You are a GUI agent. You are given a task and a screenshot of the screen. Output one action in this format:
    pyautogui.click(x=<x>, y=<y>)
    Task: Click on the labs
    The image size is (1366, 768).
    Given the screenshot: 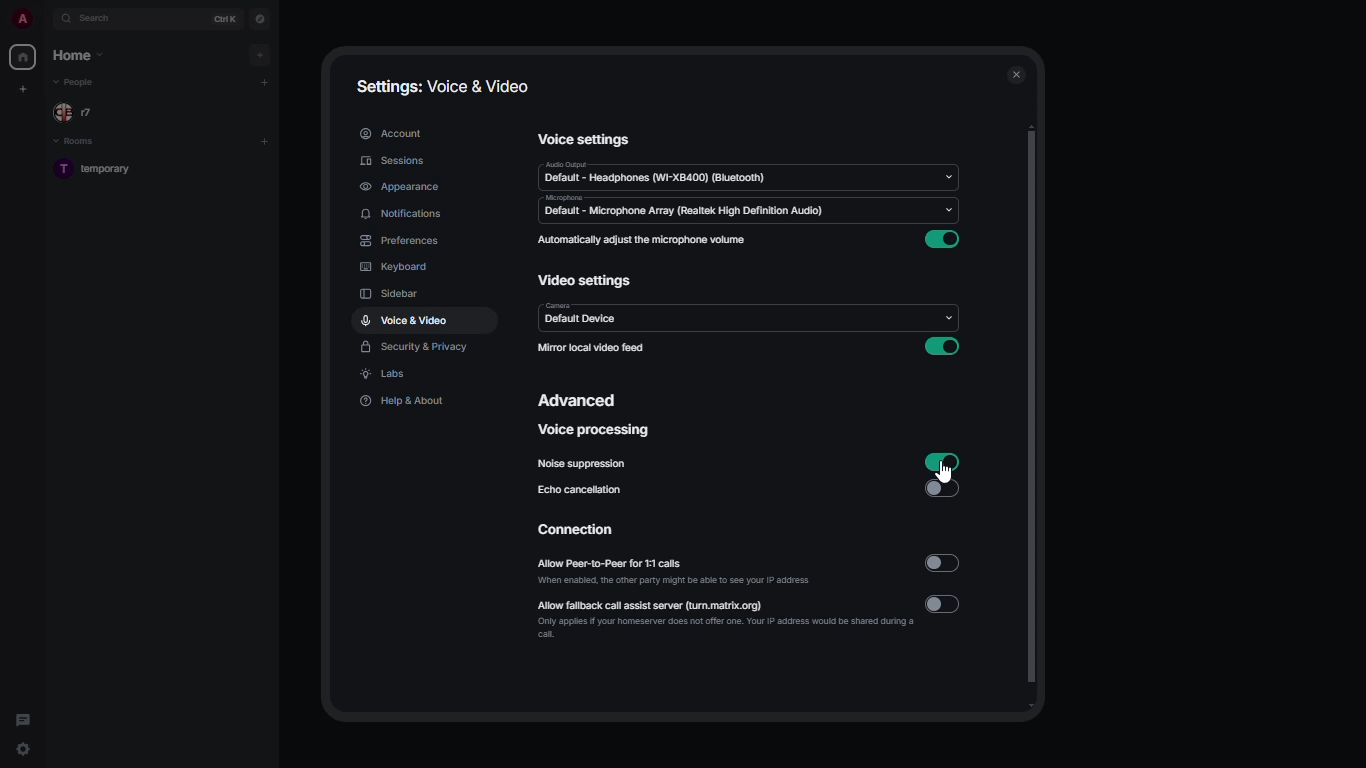 What is the action you would take?
    pyautogui.click(x=390, y=376)
    